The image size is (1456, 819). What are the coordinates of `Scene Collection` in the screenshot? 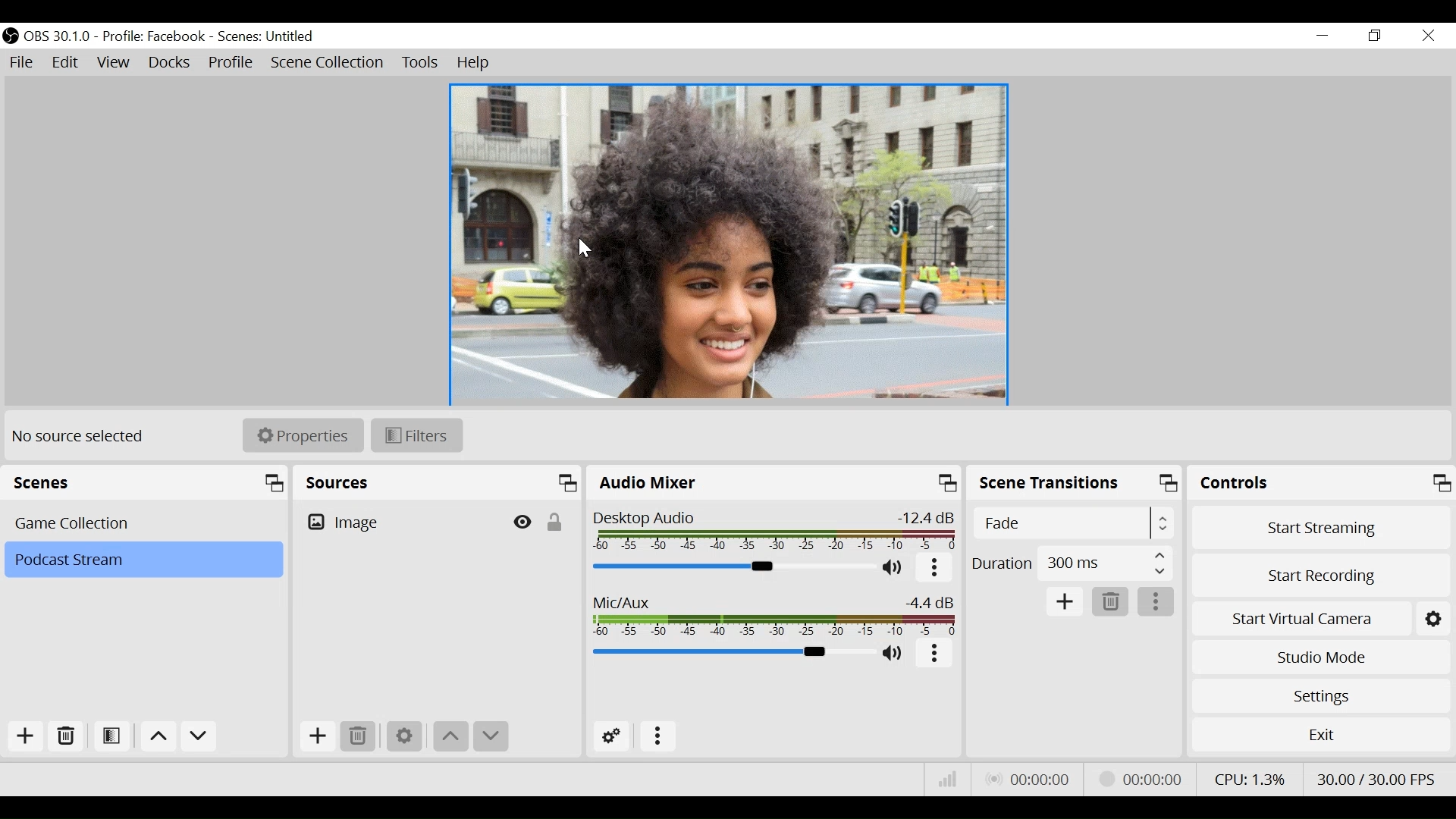 It's located at (330, 64).